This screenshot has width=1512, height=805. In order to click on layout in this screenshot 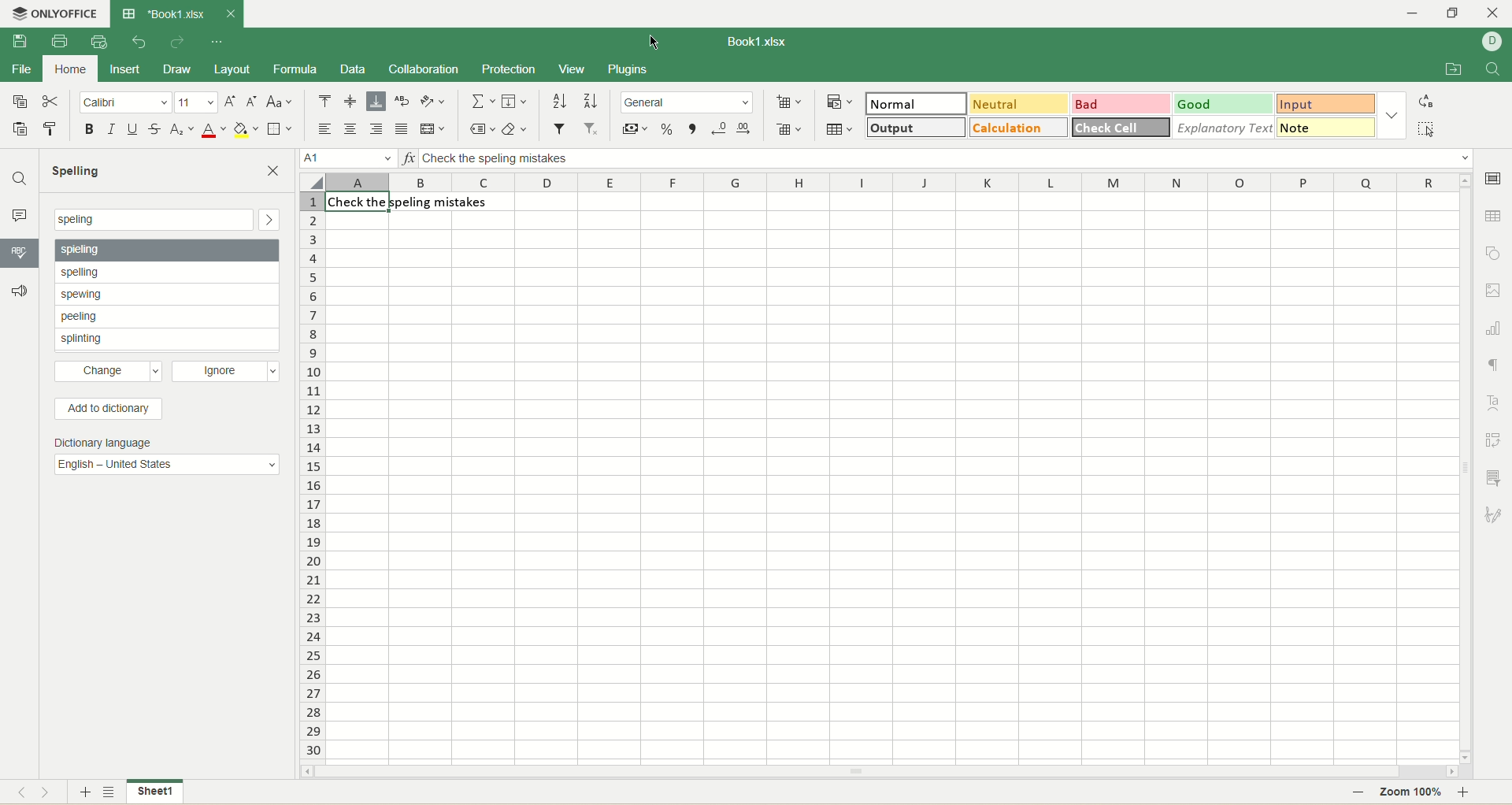, I will do `click(230, 69)`.